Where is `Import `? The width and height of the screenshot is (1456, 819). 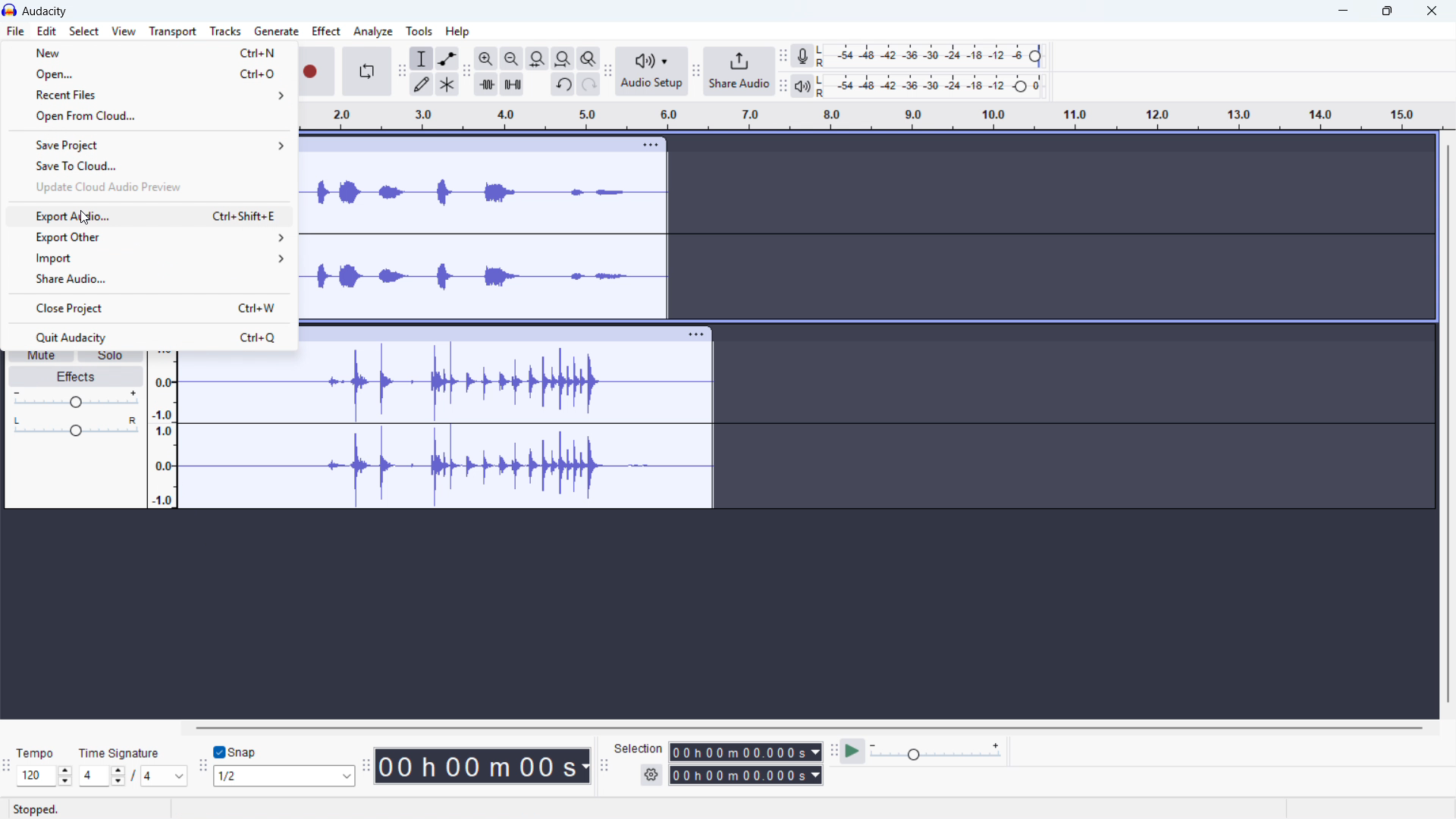 Import  is located at coordinates (149, 257).